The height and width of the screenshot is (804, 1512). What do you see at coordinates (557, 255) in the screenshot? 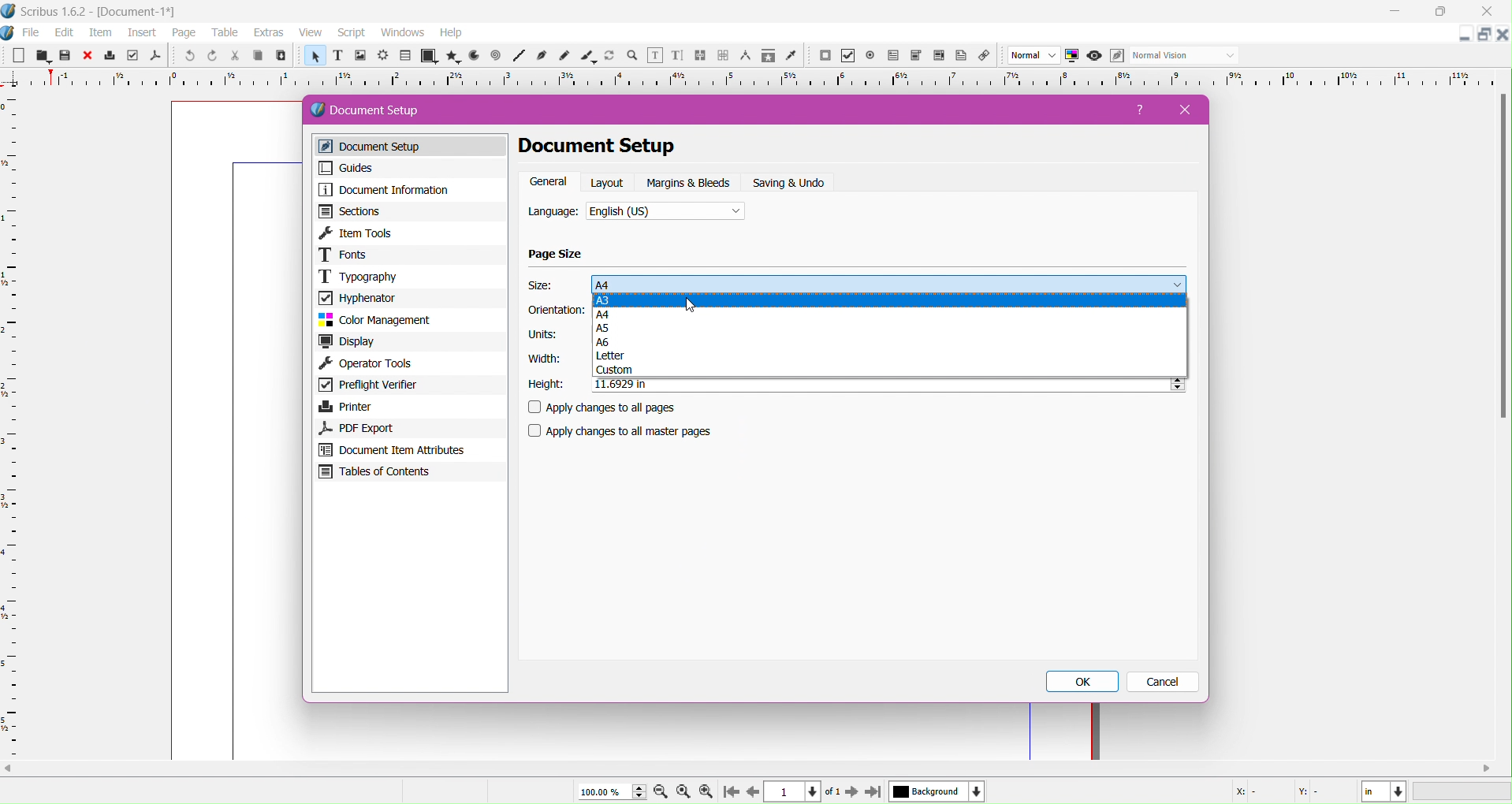
I see `Page Size` at bounding box center [557, 255].